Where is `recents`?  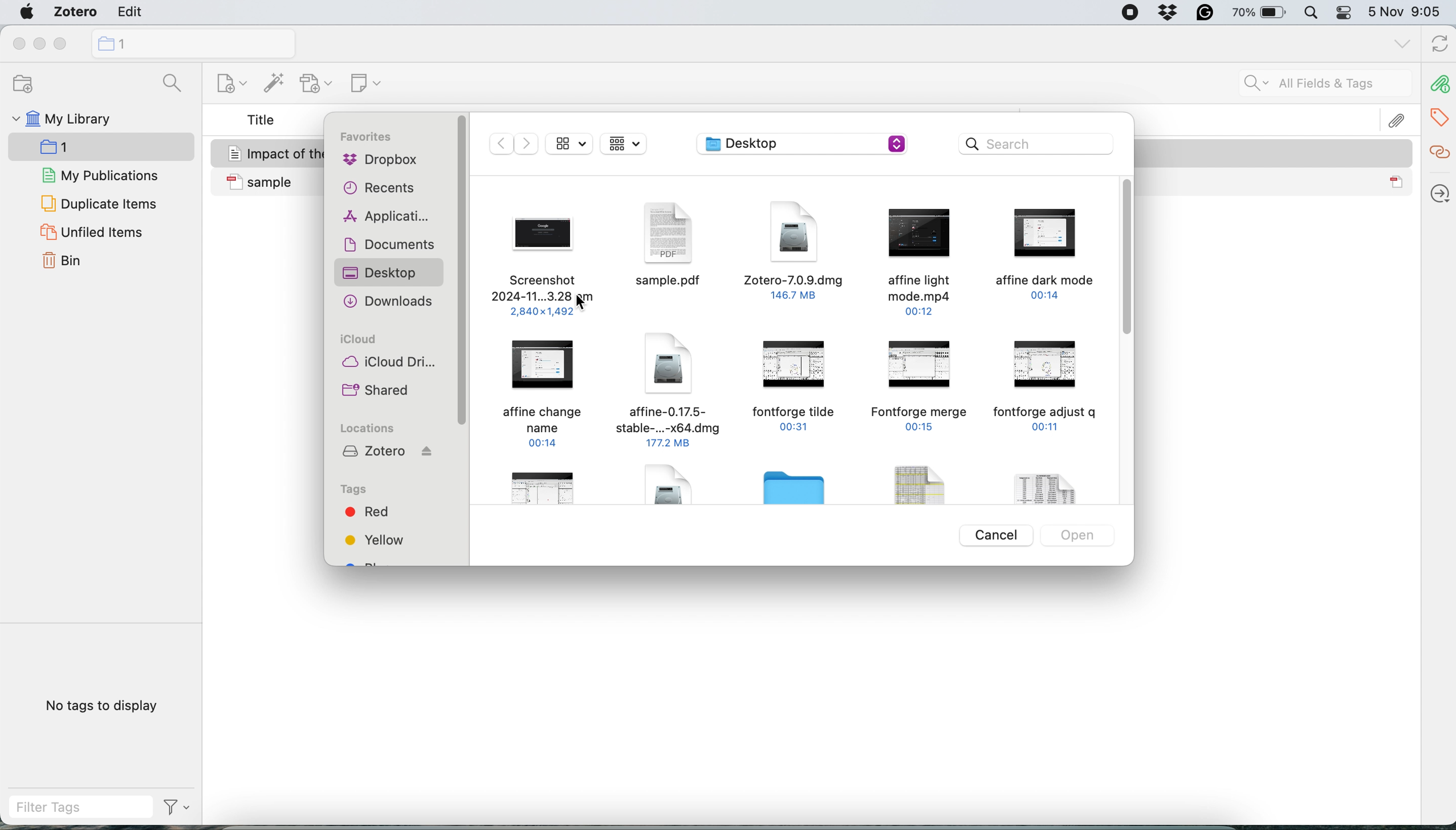
recents is located at coordinates (379, 189).